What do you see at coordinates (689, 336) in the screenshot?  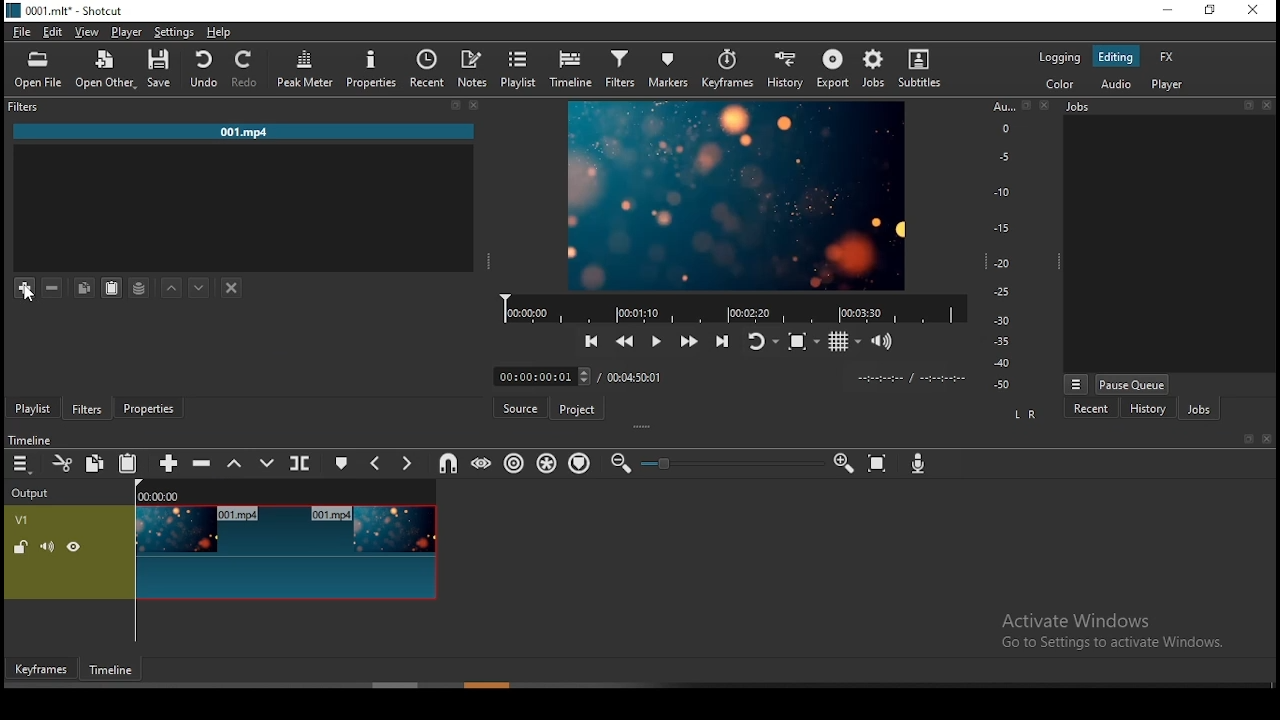 I see `play quickly forward` at bounding box center [689, 336].